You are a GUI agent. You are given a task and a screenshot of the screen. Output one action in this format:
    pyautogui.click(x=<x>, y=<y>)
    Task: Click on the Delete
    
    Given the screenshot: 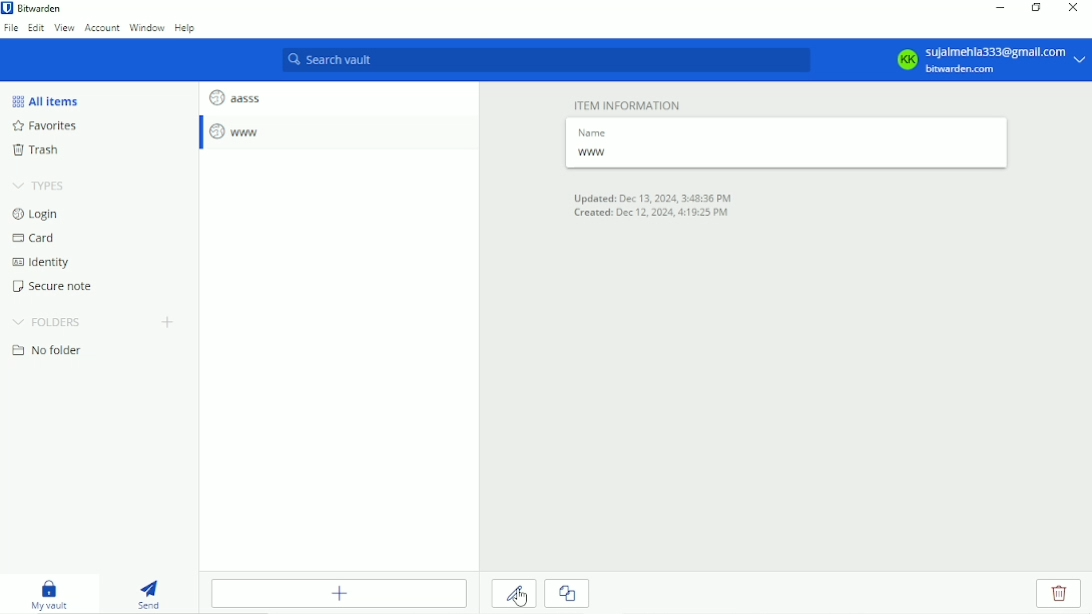 What is the action you would take?
    pyautogui.click(x=1058, y=595)
    